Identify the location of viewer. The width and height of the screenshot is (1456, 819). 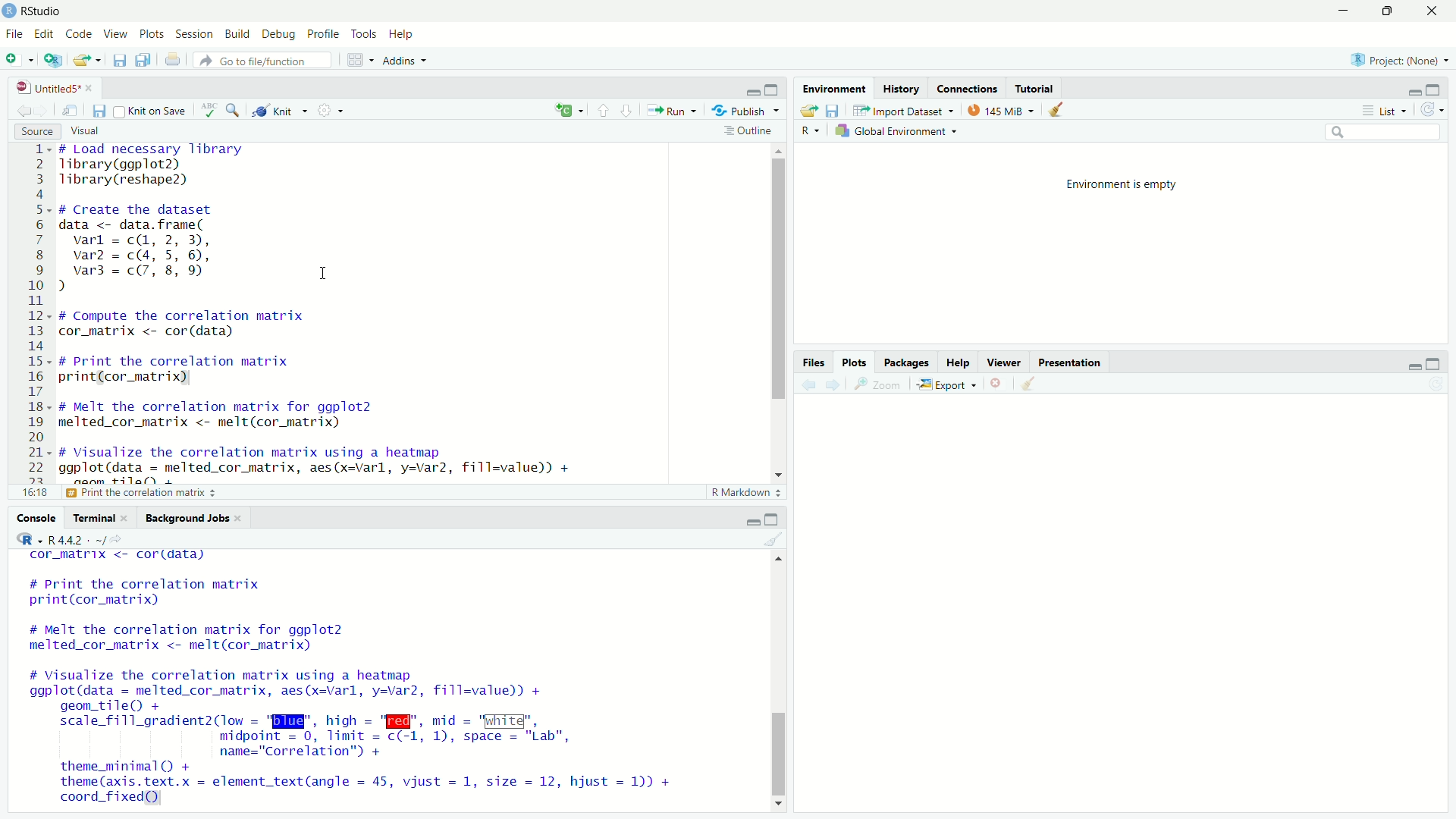
(1003, 362).